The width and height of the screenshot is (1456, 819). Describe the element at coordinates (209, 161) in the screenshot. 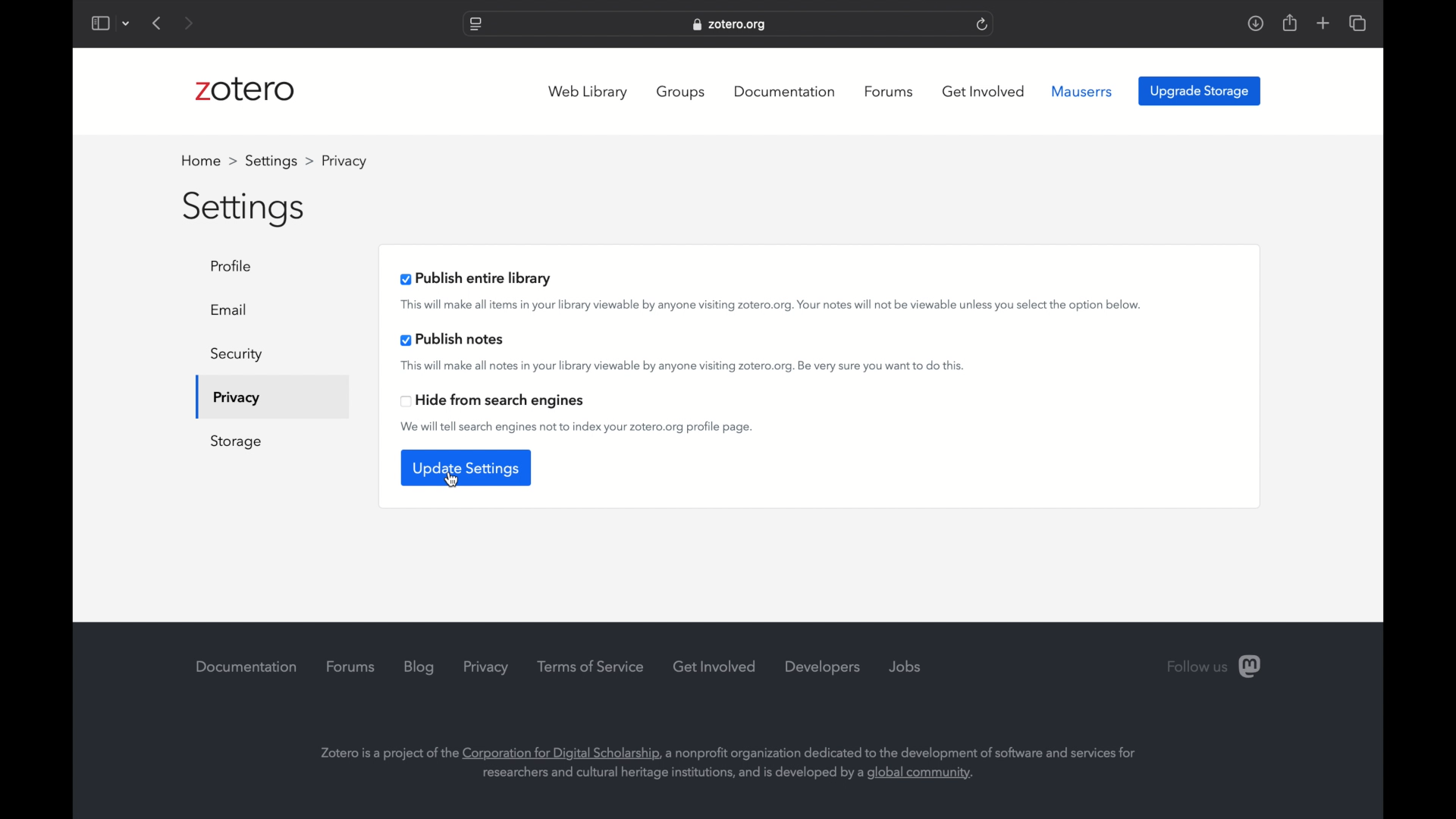

I see `home` at that location.